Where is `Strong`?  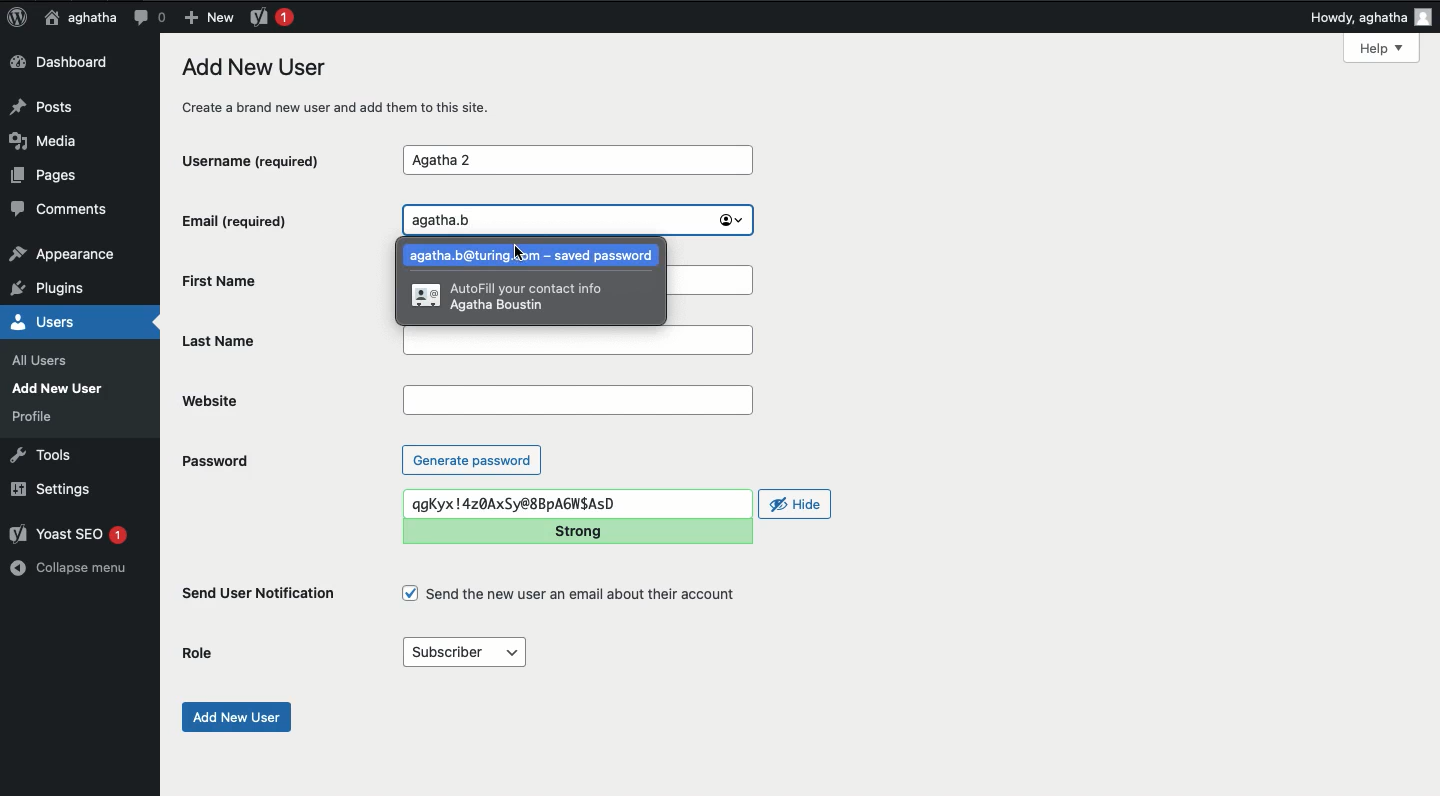
Strong is located at coordinates (580, 531).